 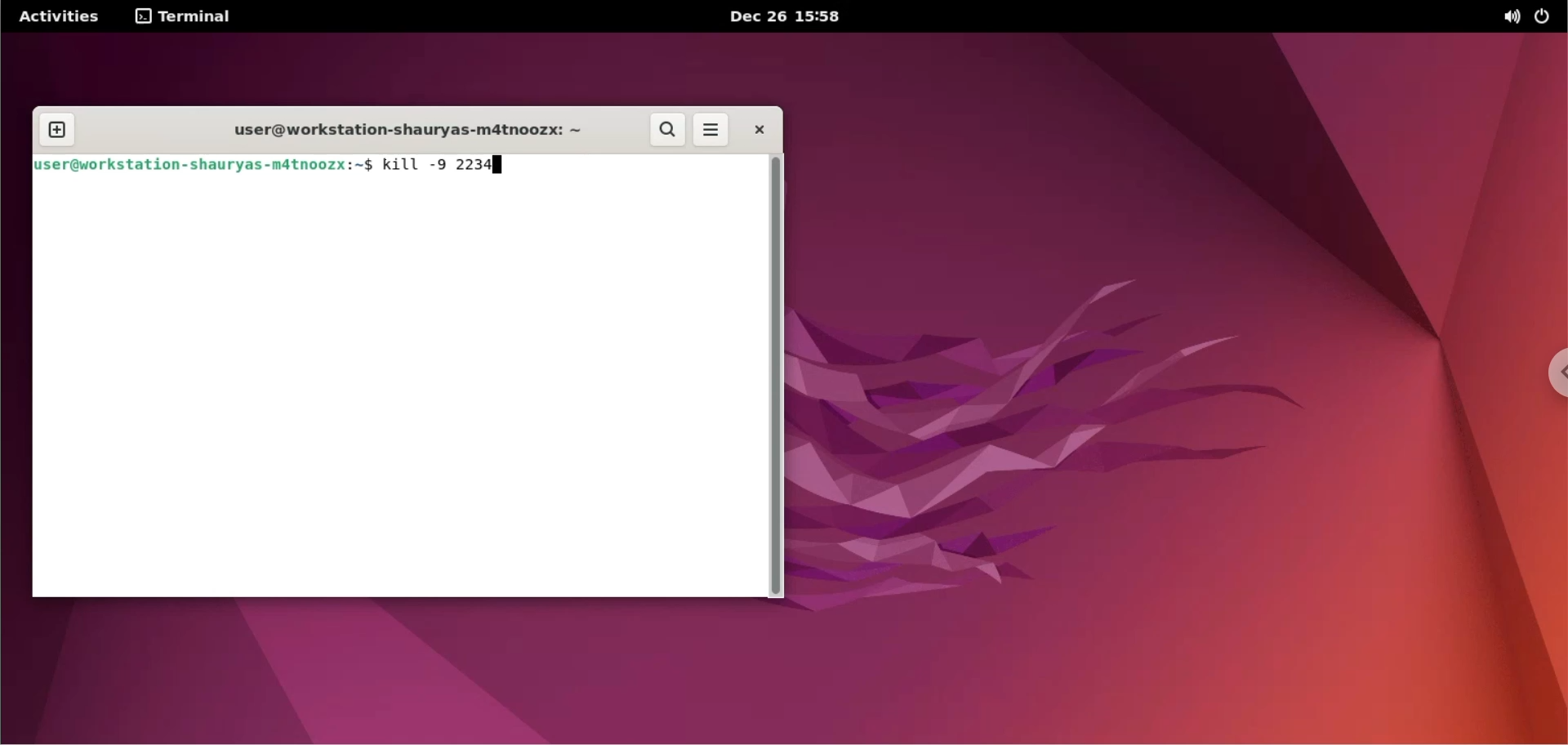 What do you see at coordinates (757, 131) in the screenshot?
I see `close` at bounding box center [757, 131].